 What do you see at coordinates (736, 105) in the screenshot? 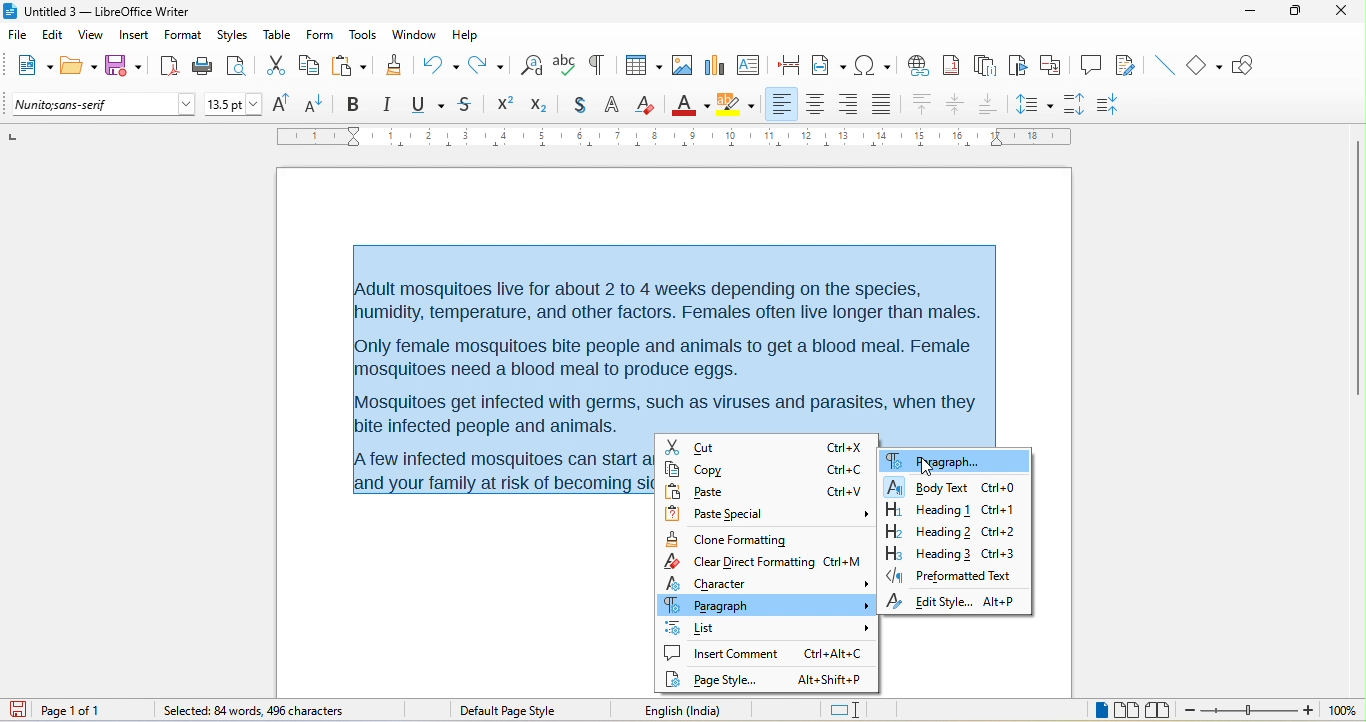
I see `highlighting color` at bounding box center [736, 105].